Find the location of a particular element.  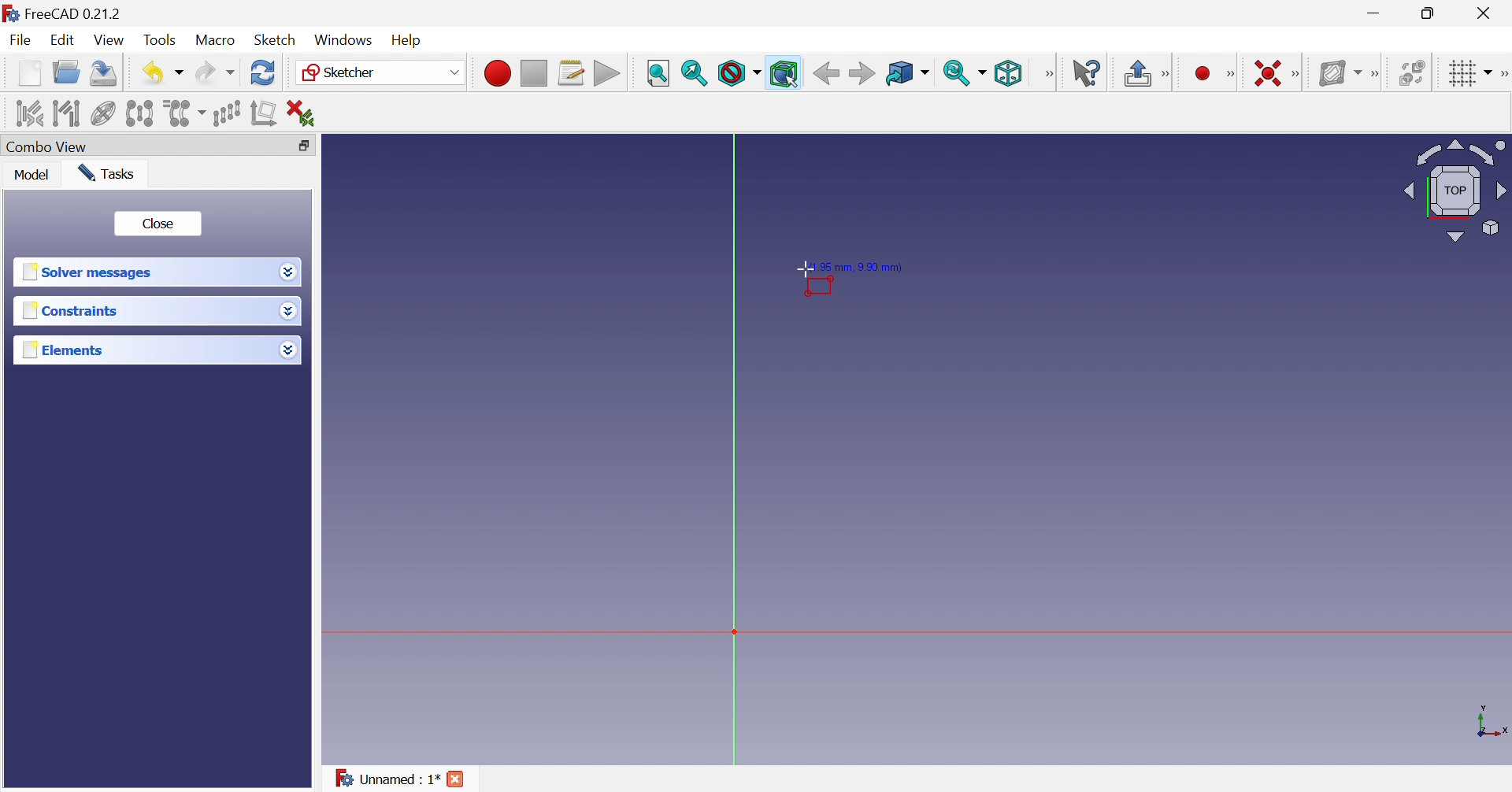

Drop down is located at coordinates (288, 311).